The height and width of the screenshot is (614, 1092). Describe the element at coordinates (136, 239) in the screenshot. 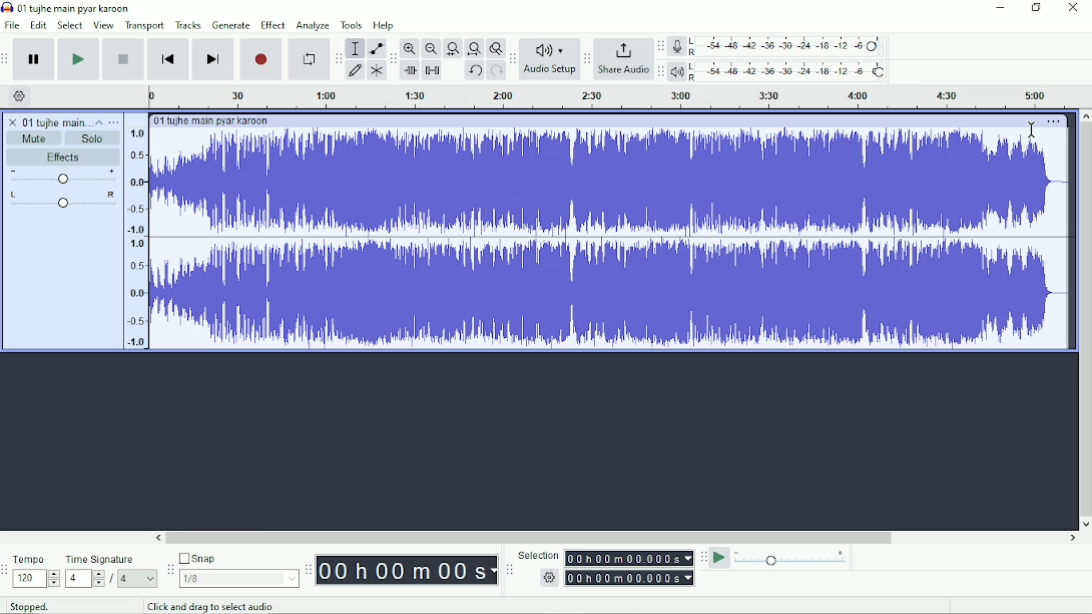

I see `amplitude scale` at that location.